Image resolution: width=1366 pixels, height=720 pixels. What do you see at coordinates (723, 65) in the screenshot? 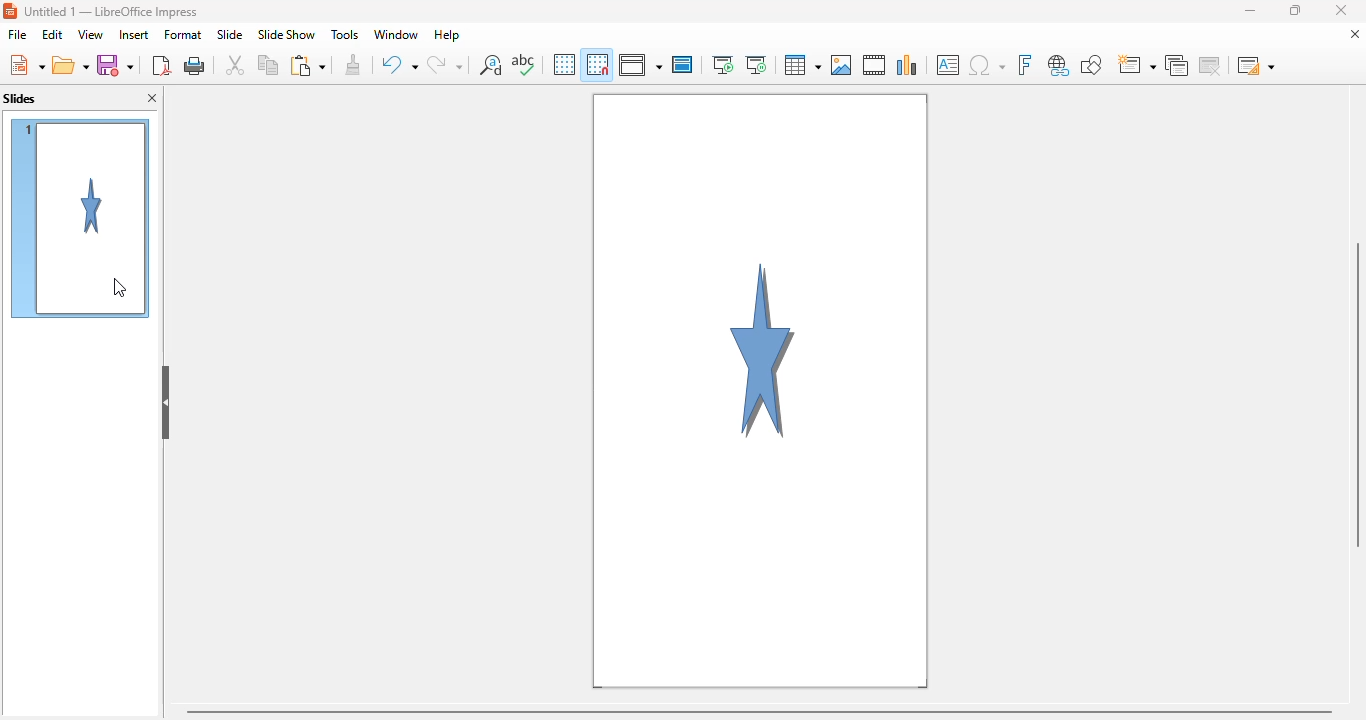
I see `start from first slide` at bounding box center [723, 65].